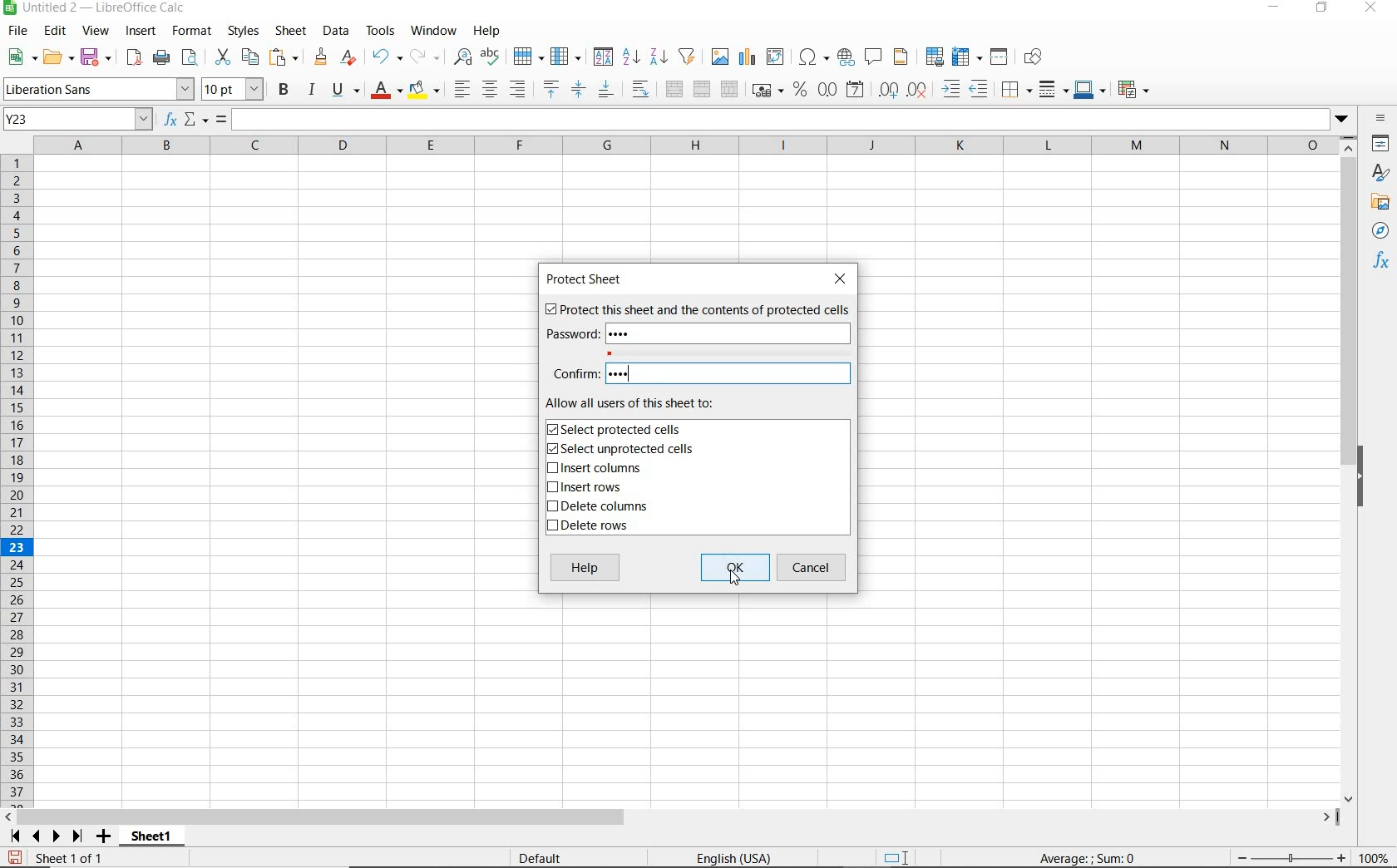  What do you see at coordinates (688, 56) in the screenshot?
I see `AUTOFILTER` at bounding box center [688, 56].